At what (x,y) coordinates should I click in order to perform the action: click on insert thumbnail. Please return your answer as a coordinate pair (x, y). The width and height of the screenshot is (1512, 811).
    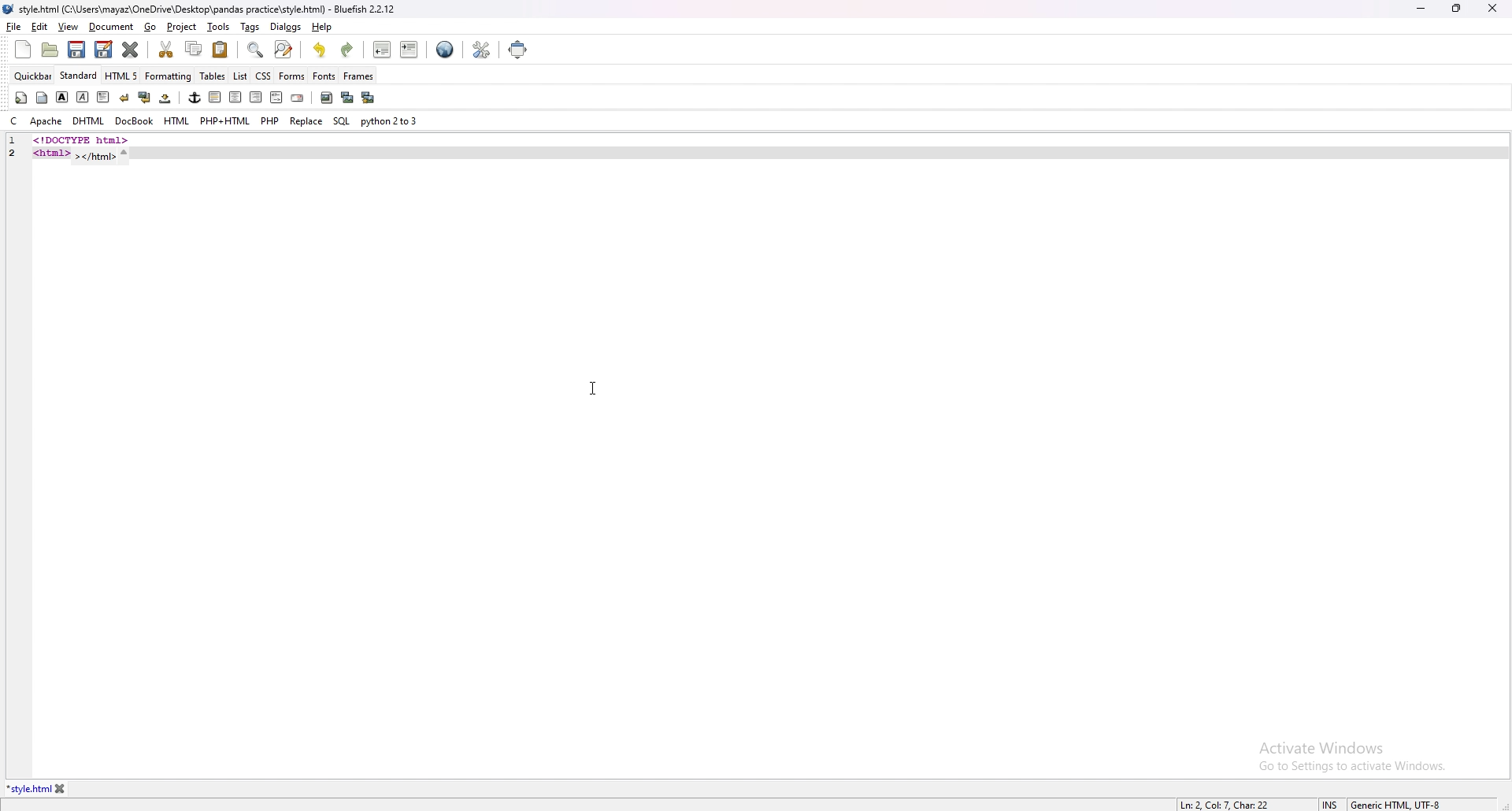
    Looking at the image, I should click on (346, 98).